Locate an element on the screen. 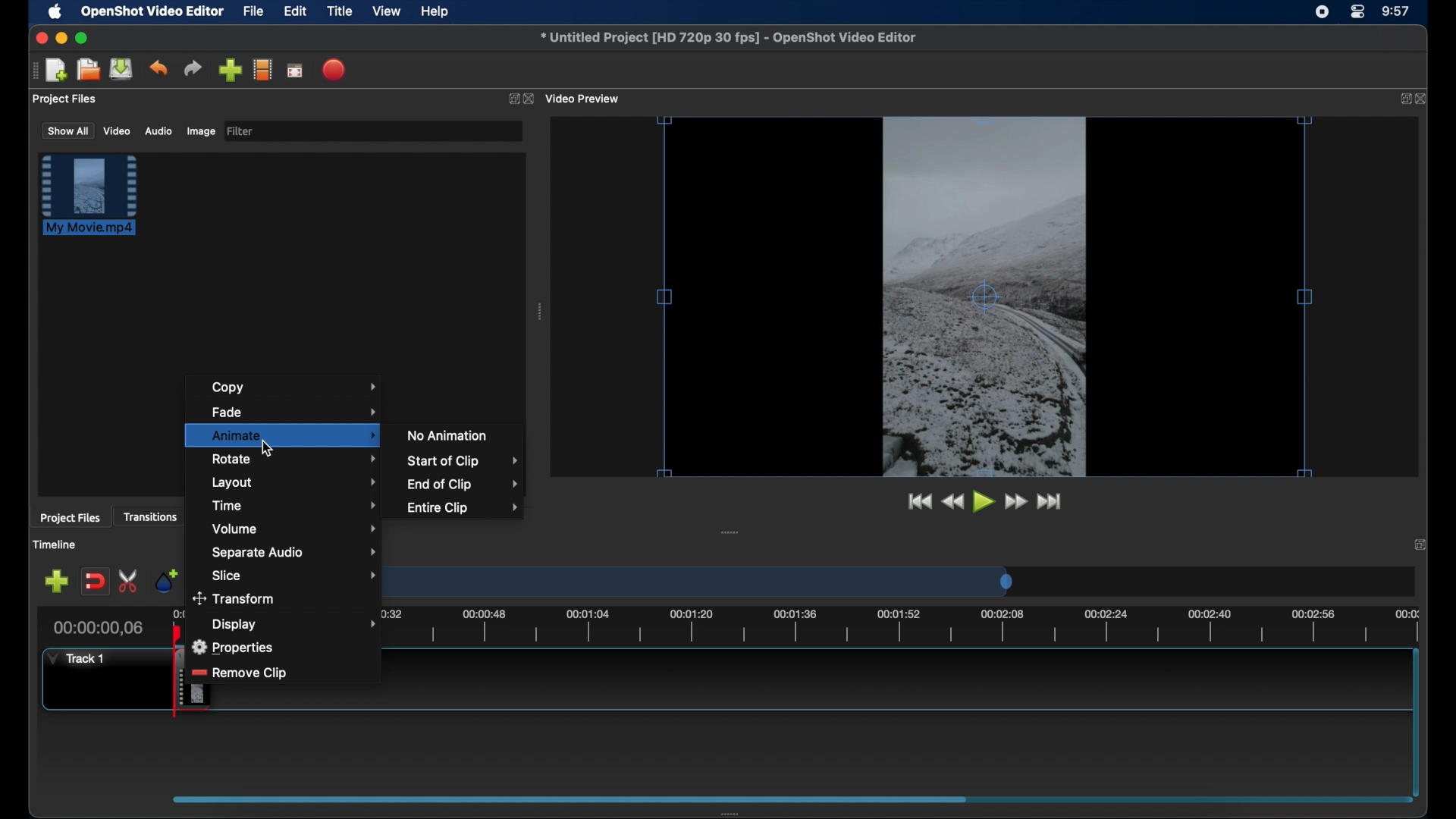 The image size is (1456, 819). layout menu is located at coordinates (294, 483).